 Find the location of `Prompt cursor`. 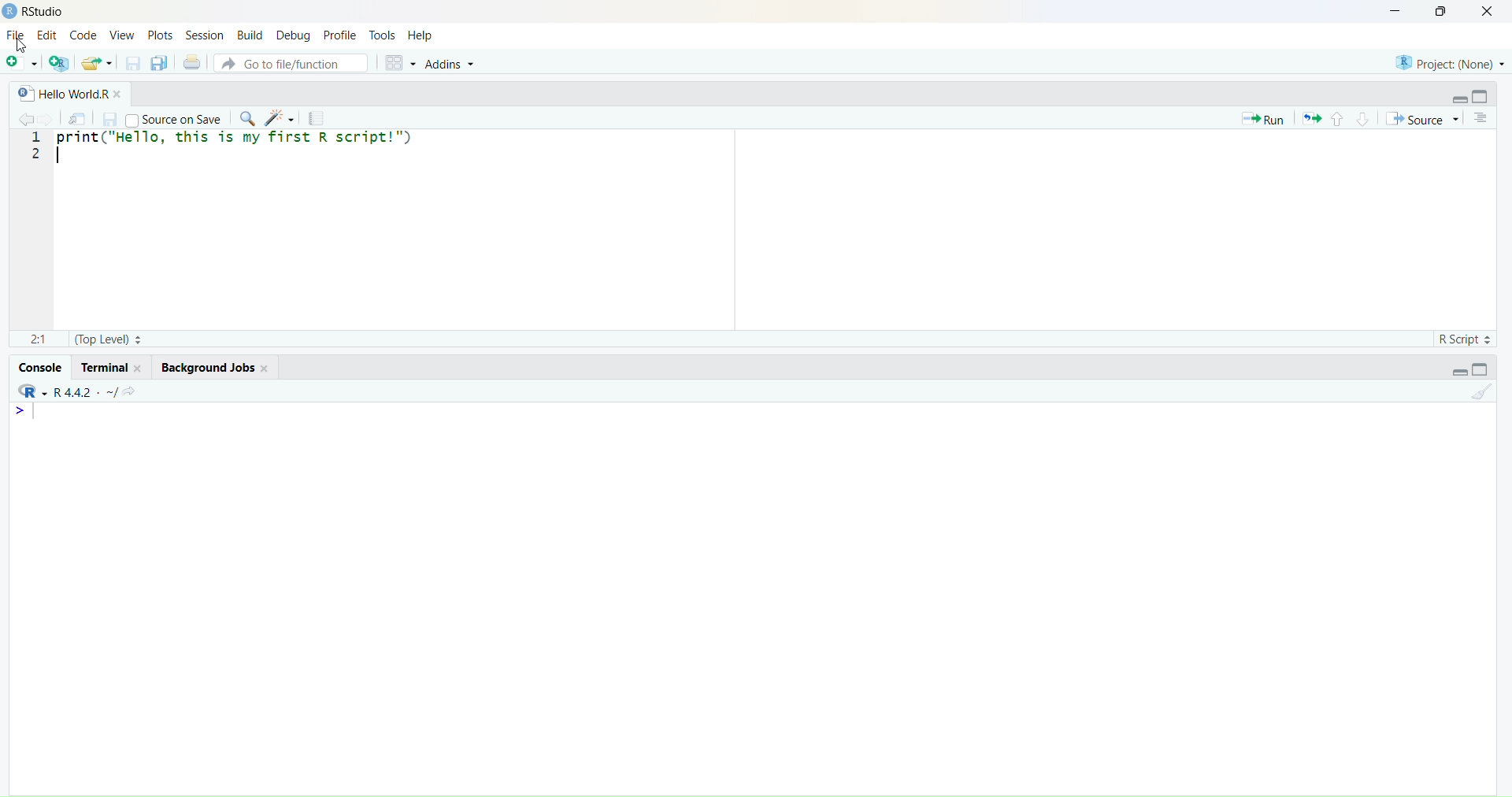

Prompt cursor is located at coordinates (19, 410).